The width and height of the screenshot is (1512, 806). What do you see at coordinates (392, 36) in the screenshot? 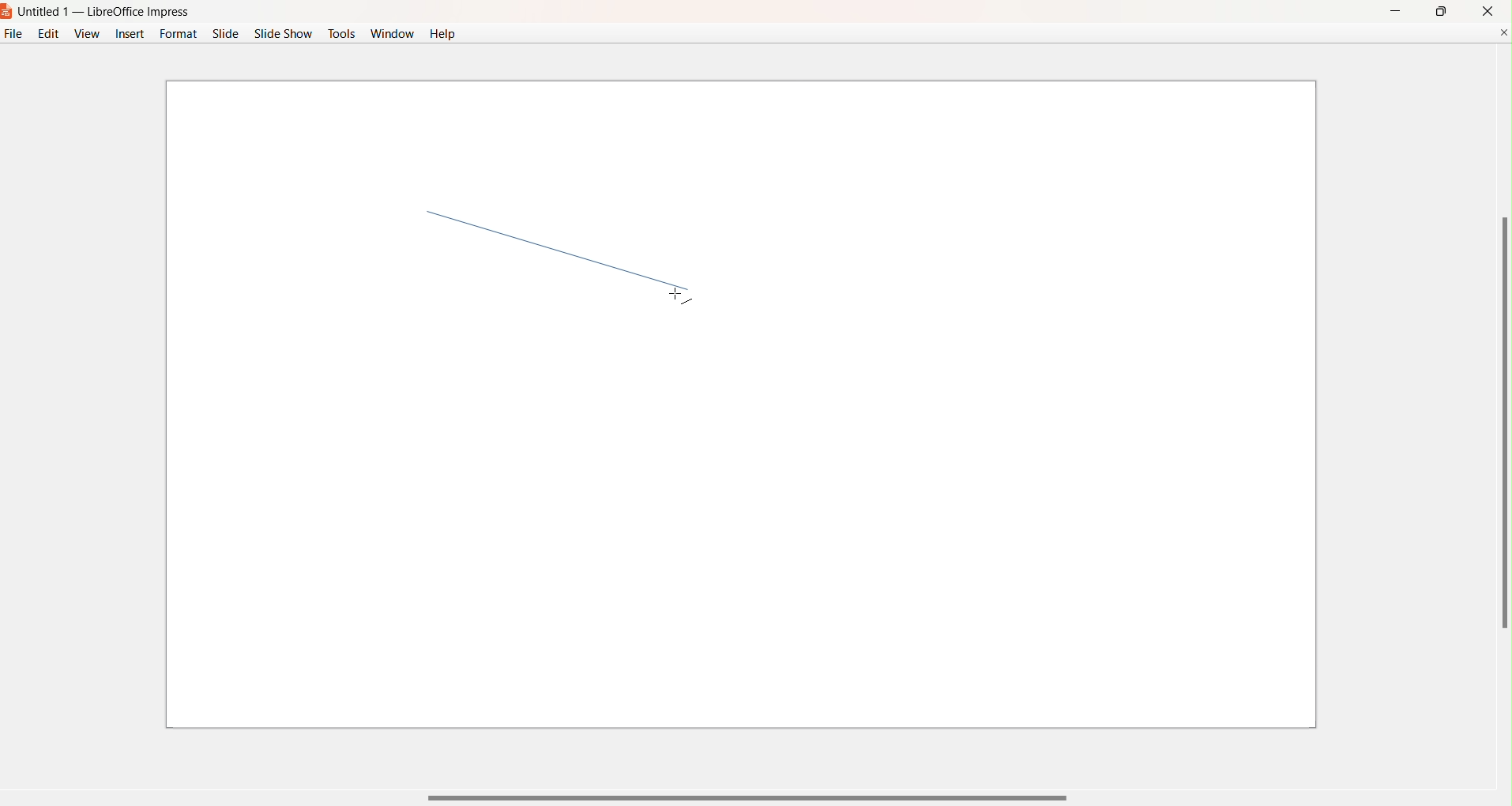
I see `Window` at bounding box center [392, 36].